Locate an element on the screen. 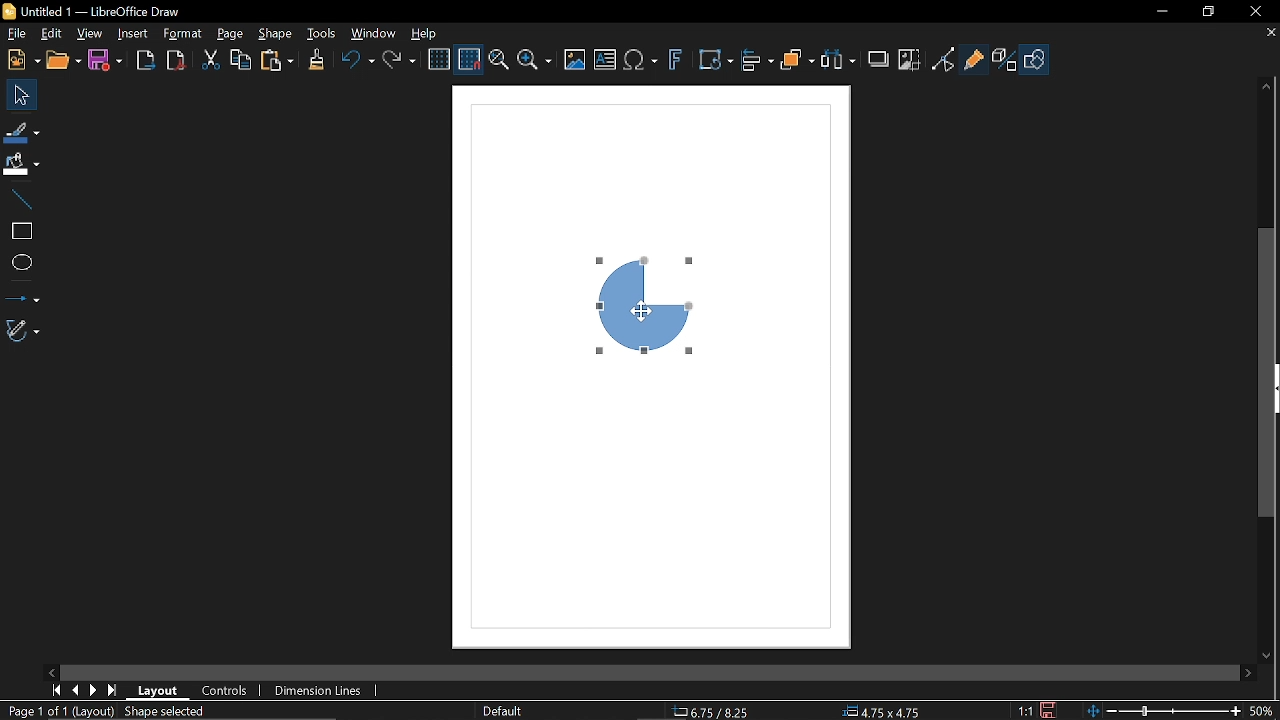  Clone is located at coordinates (316, 60).